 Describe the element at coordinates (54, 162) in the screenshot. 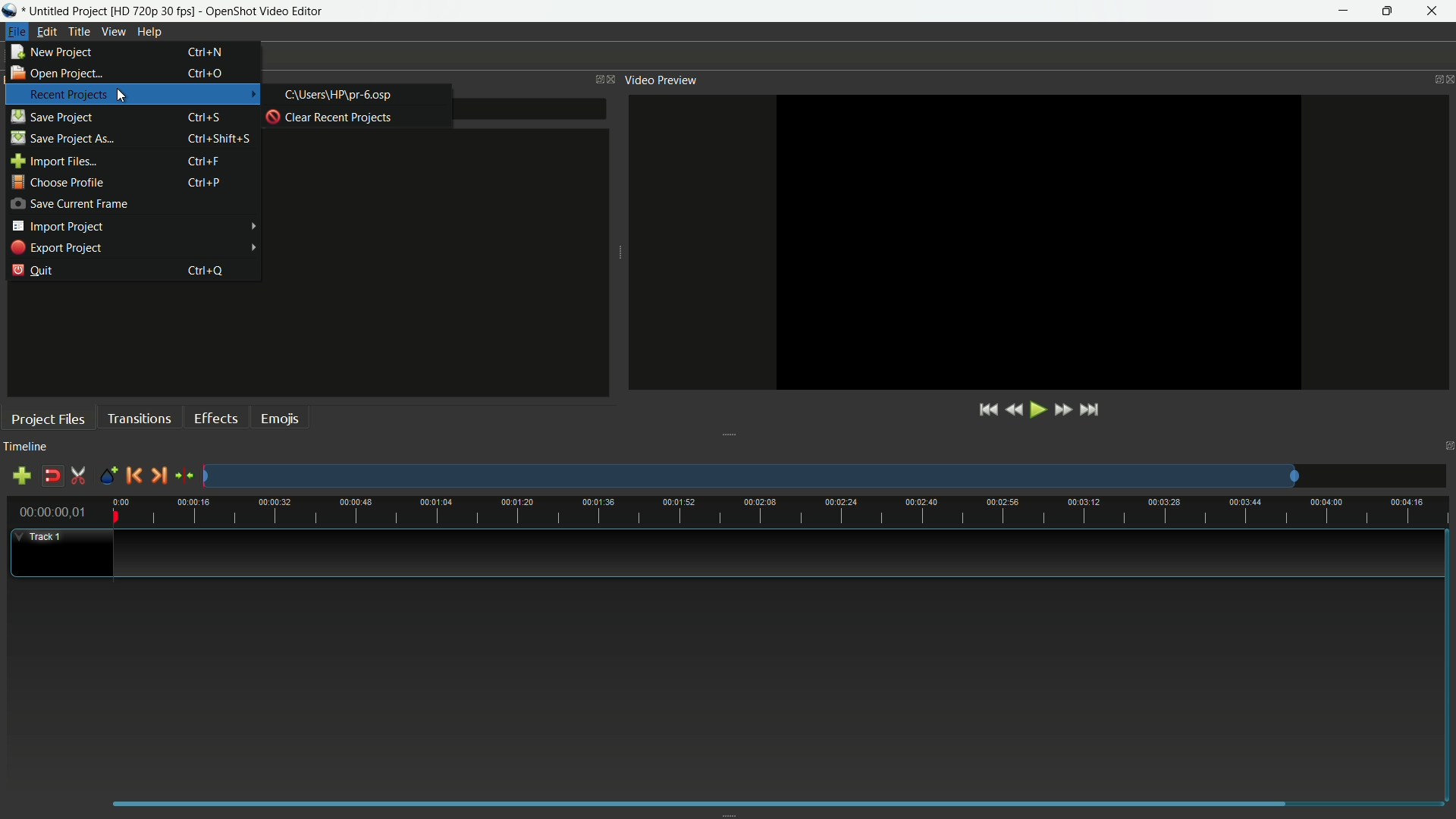

I see `import files` at that location.